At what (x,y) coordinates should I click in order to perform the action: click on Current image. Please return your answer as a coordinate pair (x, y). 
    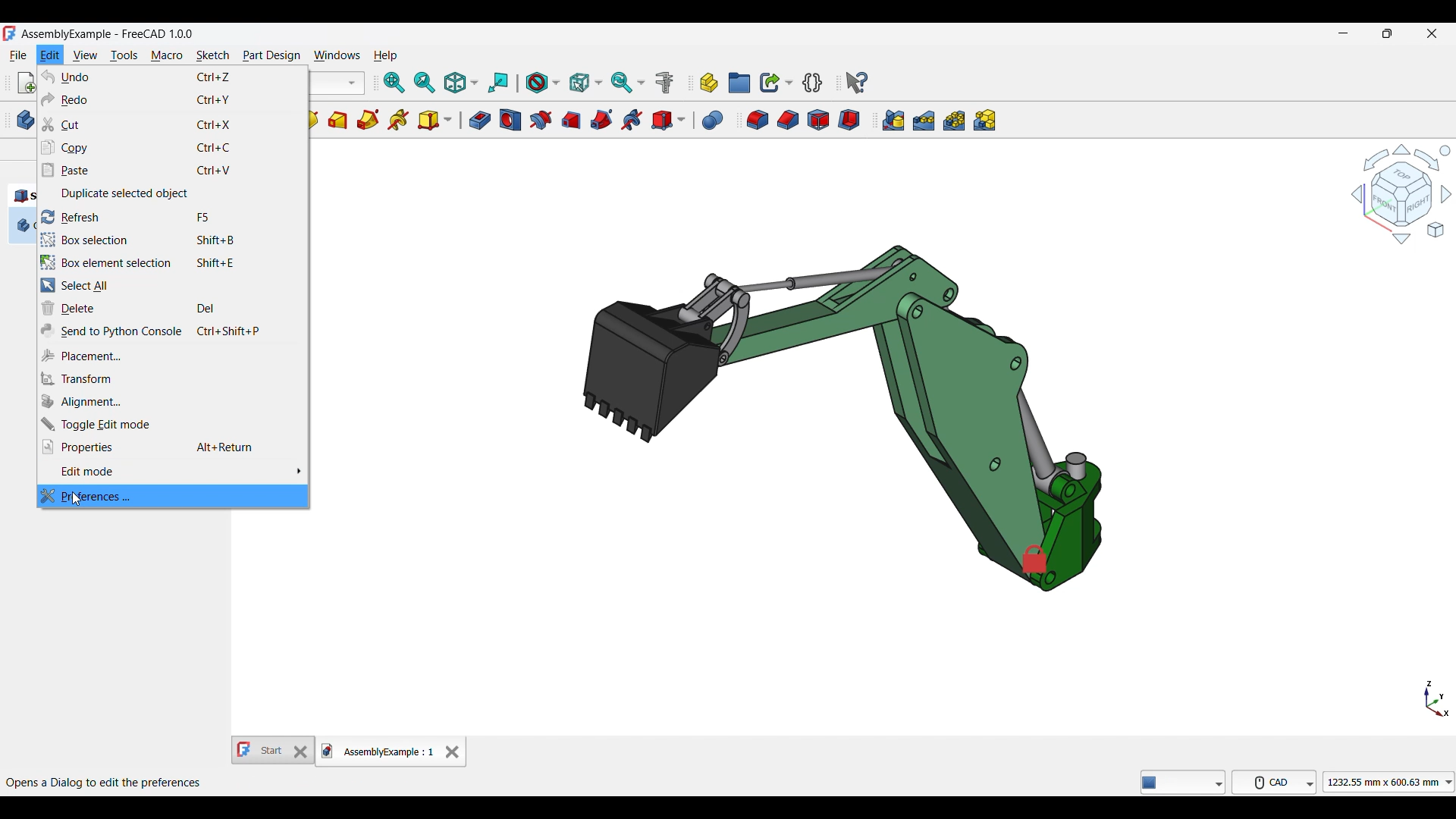
    Looking at the image, I should click on (843, 418).